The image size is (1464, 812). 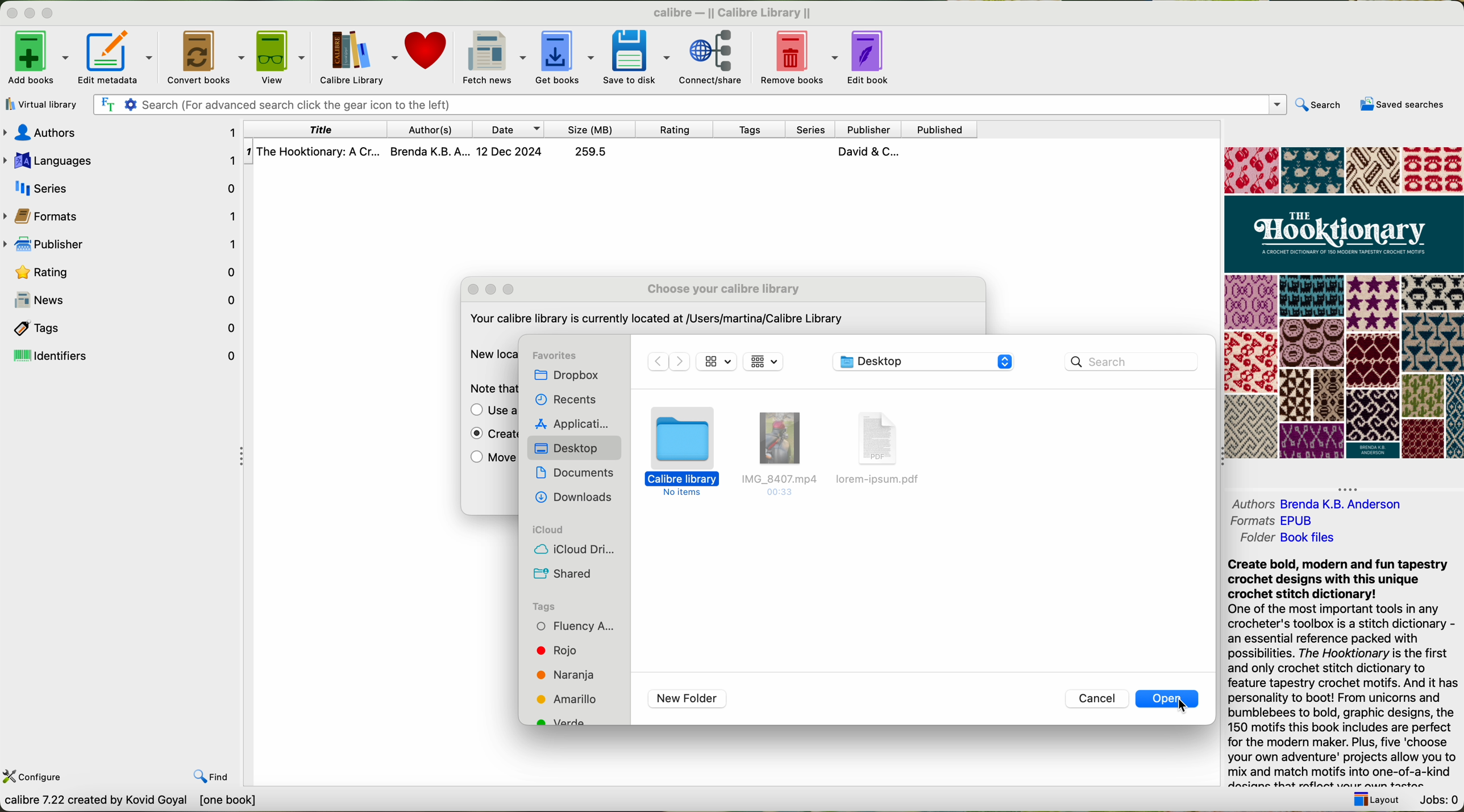 What do you see at coordinates (508, 128) in the screenshot?
I see `date` at bounding box center [508, 128].